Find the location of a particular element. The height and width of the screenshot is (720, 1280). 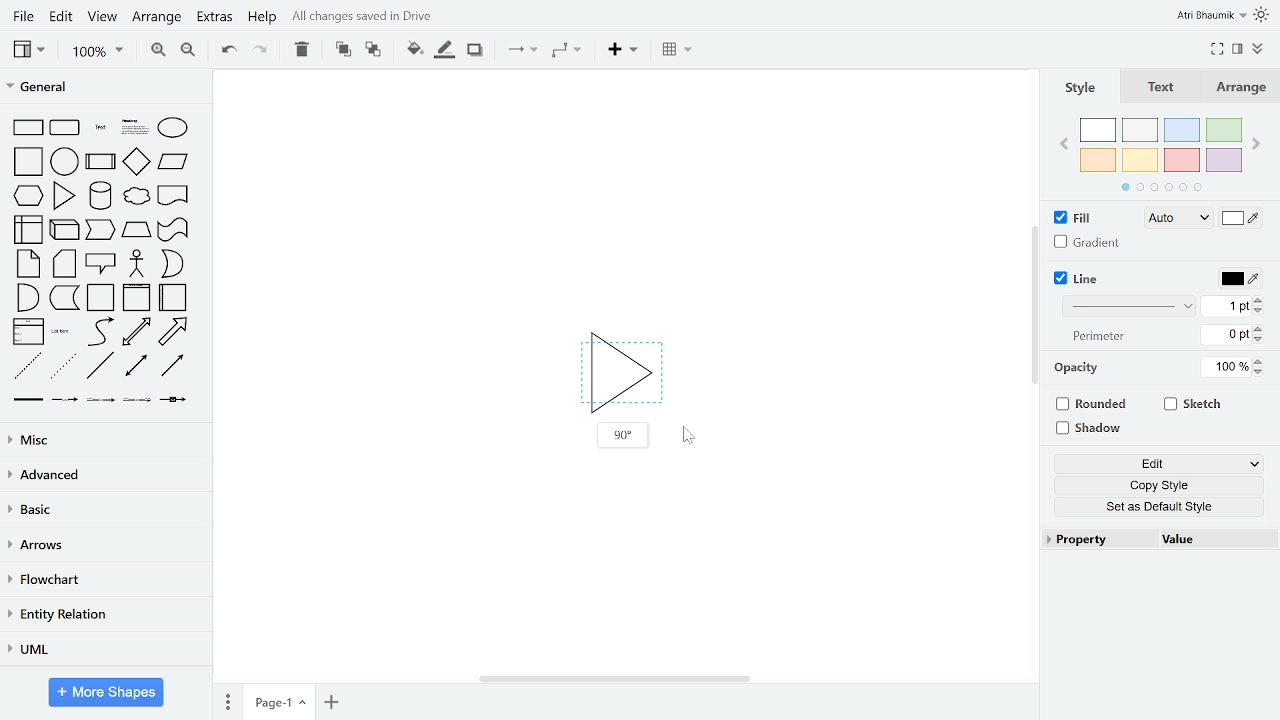

cube is located at coordinates (65, 229).